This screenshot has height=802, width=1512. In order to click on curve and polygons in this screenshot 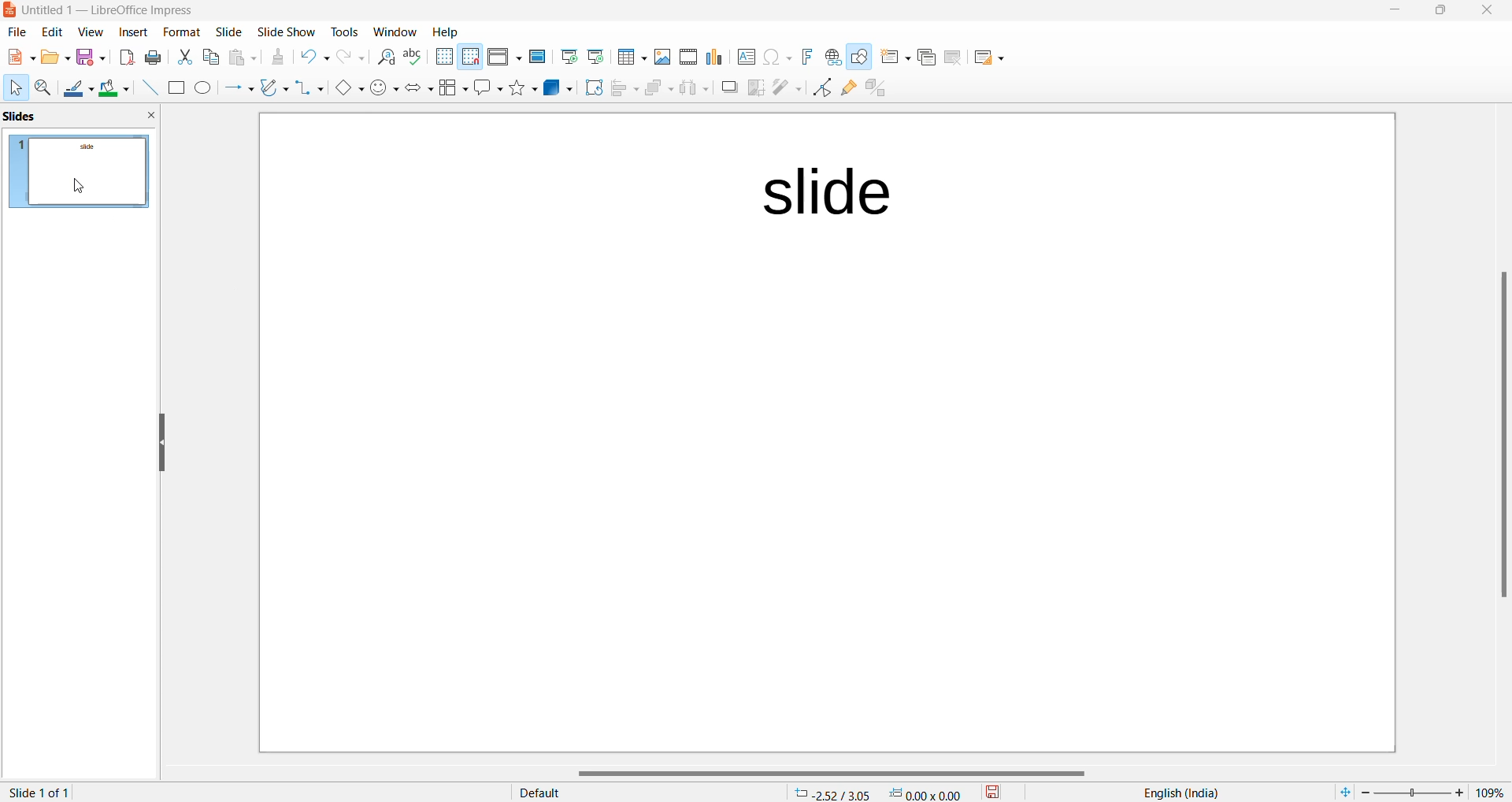, I will do `click(275, 89)`.